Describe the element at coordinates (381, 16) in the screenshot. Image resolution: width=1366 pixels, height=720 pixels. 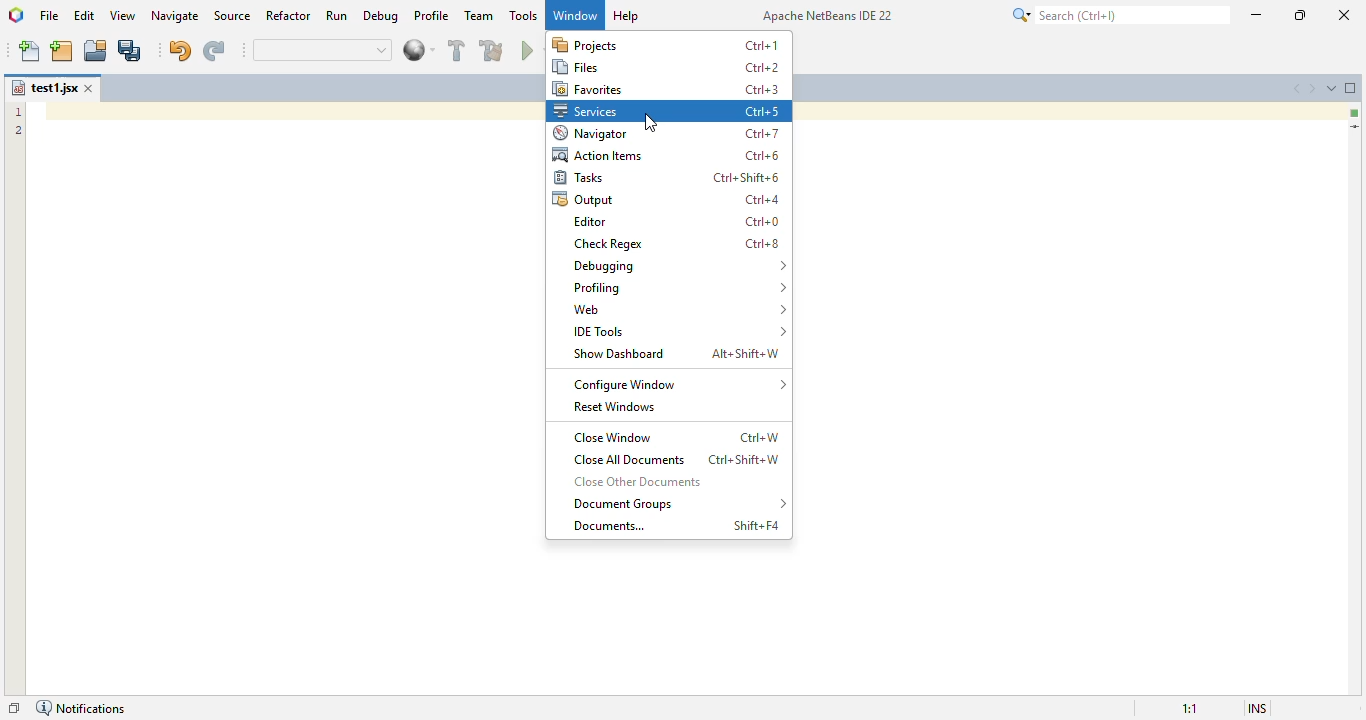
I see `debug` at that location.